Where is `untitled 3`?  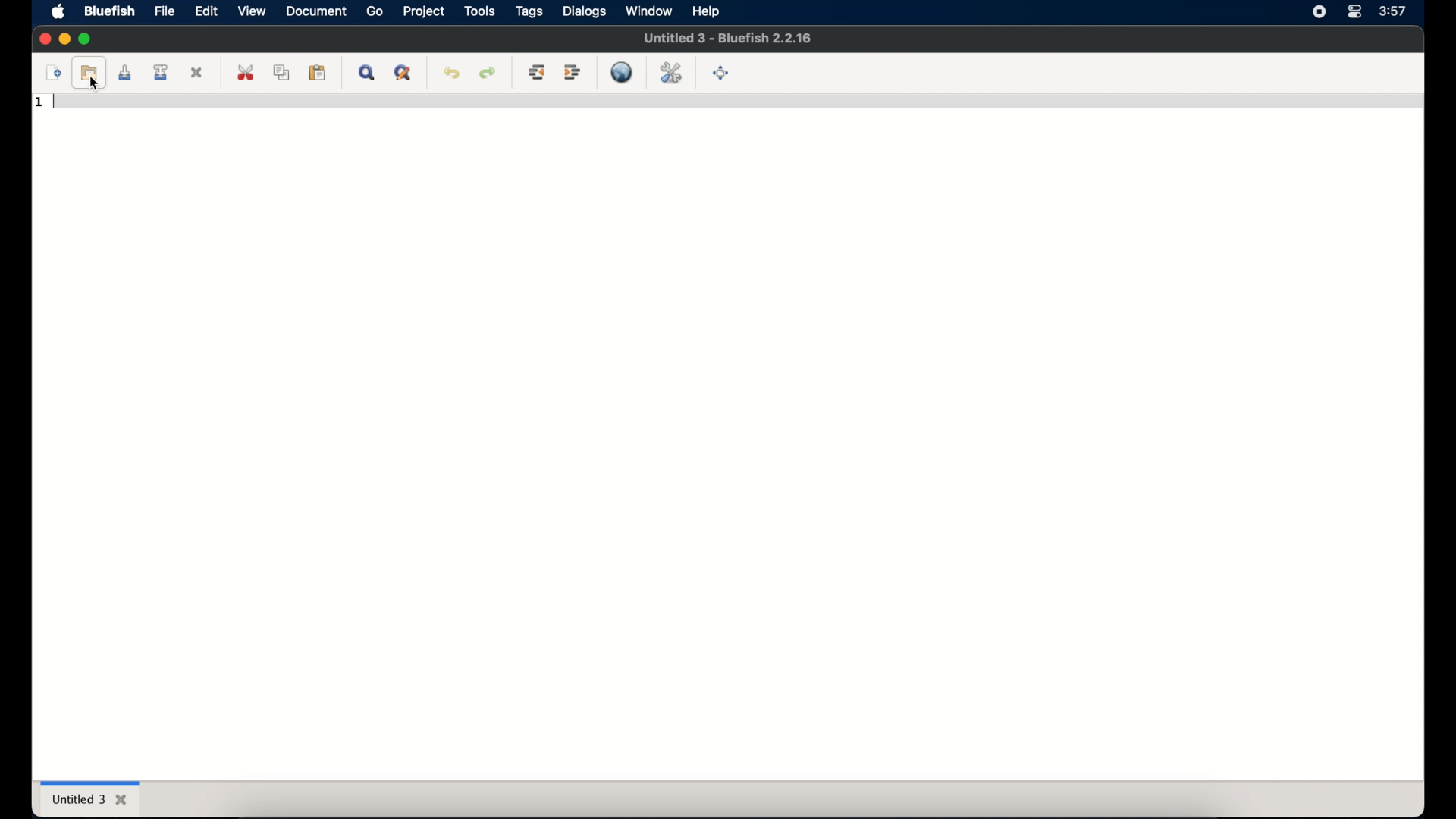
untitled 3 is located at coordinates (88, 798).